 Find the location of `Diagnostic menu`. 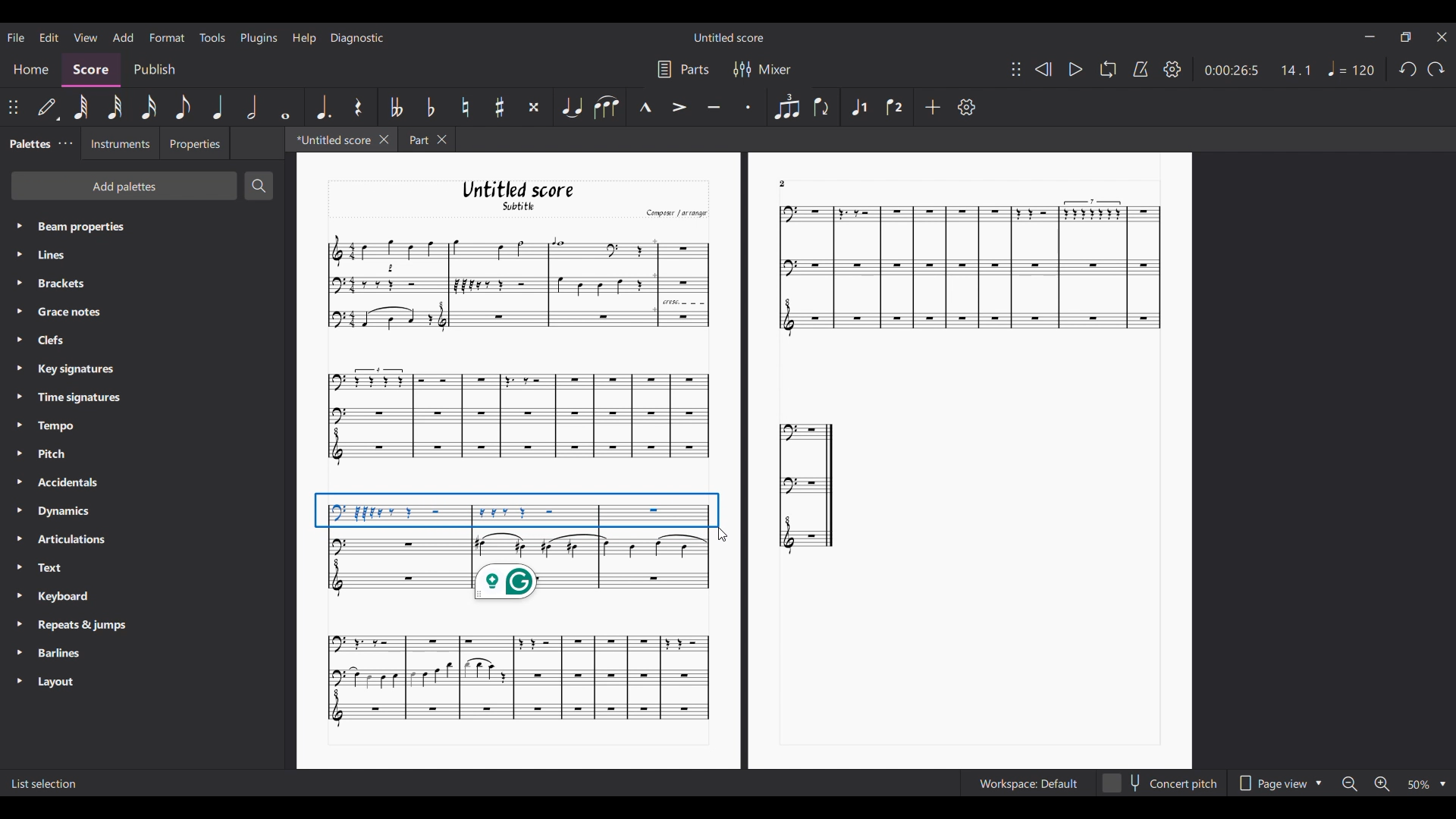

Diagnostic menu is located at coordinates (358, 38).